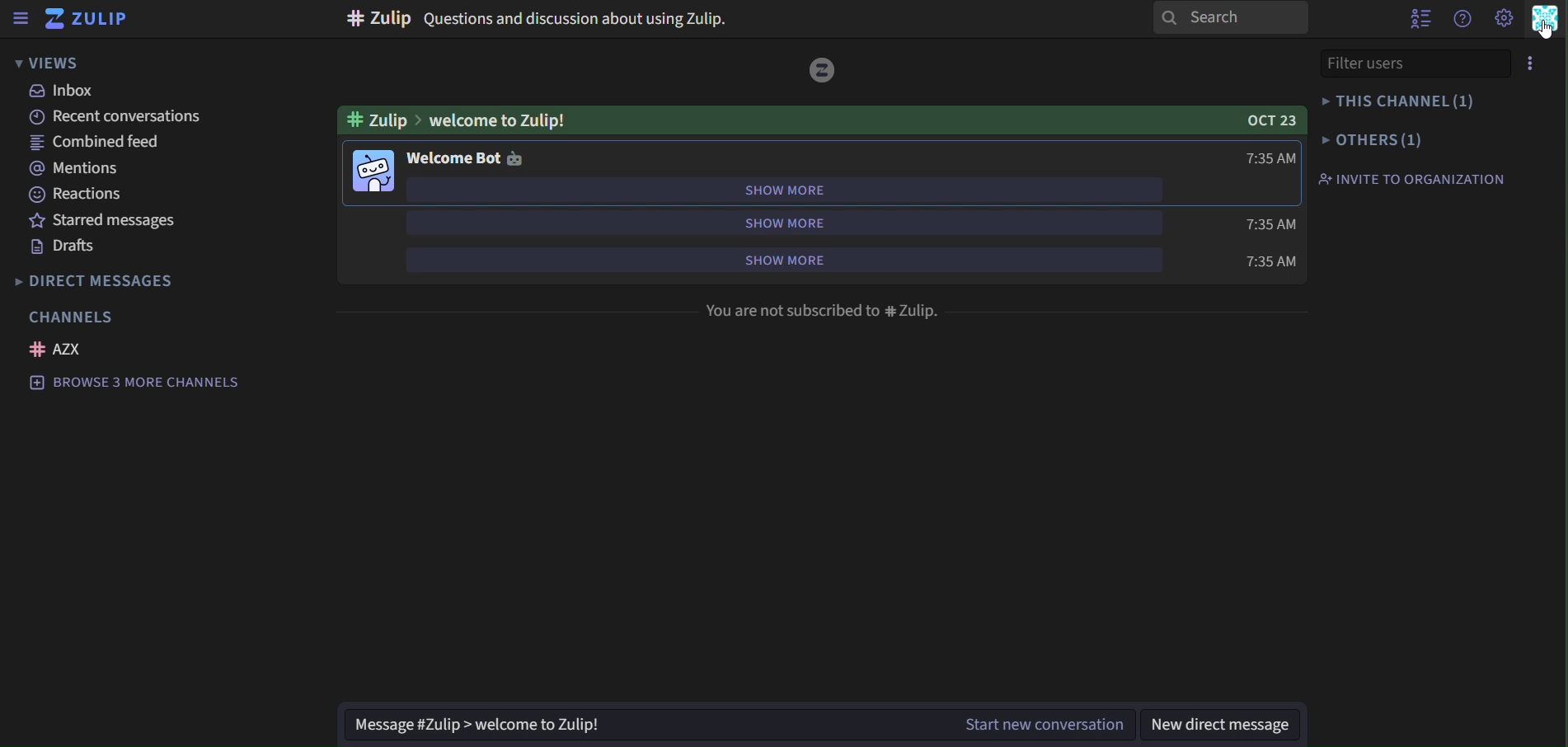  What do you see at coordinates (1529, 64) in the screenshot?
I see `menu` at bounding box center [1529, 64].